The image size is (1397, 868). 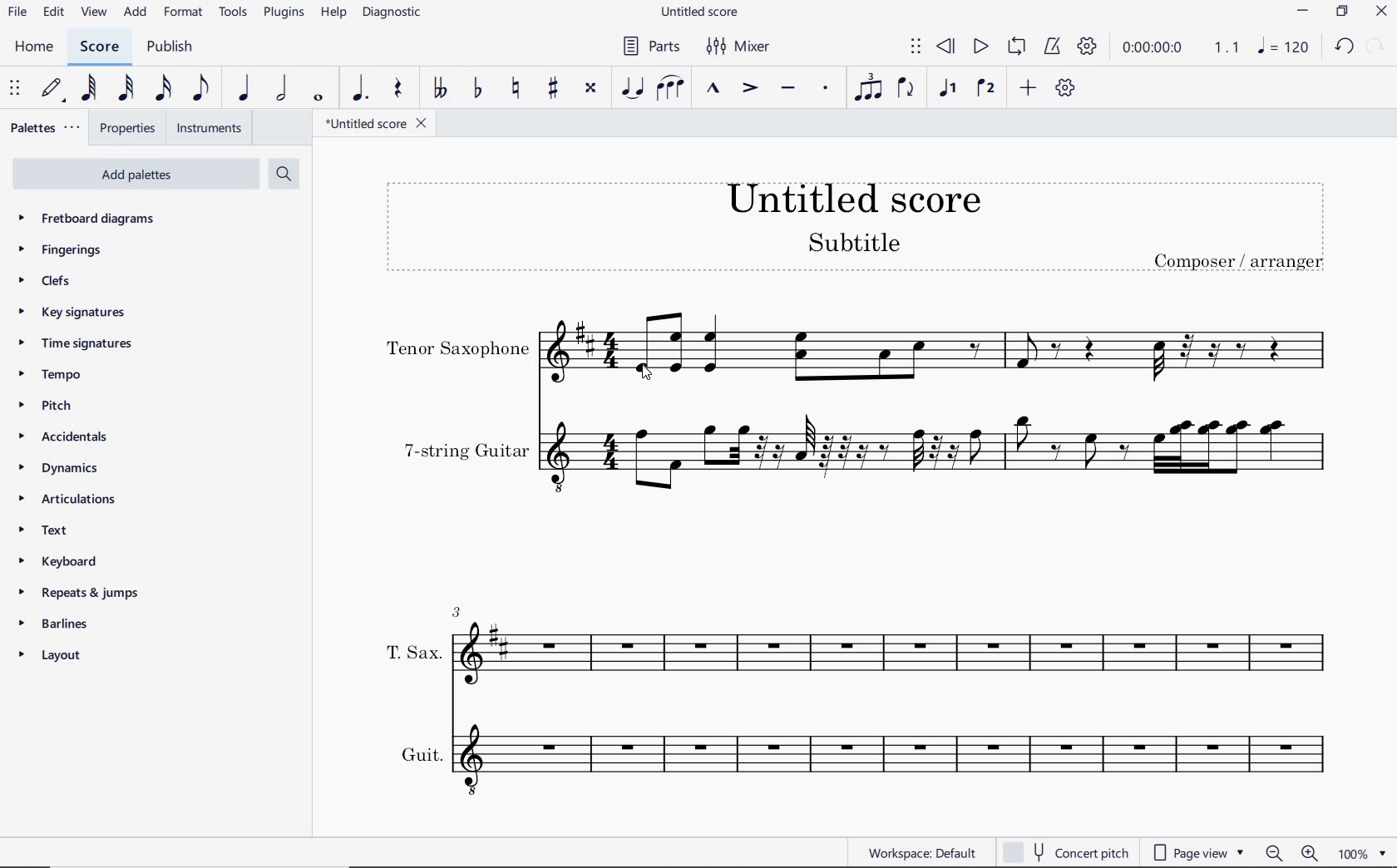 What do you see at coordinates (32, 47) in the screenshot?
I see `HOME` at bounding box center [32, 47].